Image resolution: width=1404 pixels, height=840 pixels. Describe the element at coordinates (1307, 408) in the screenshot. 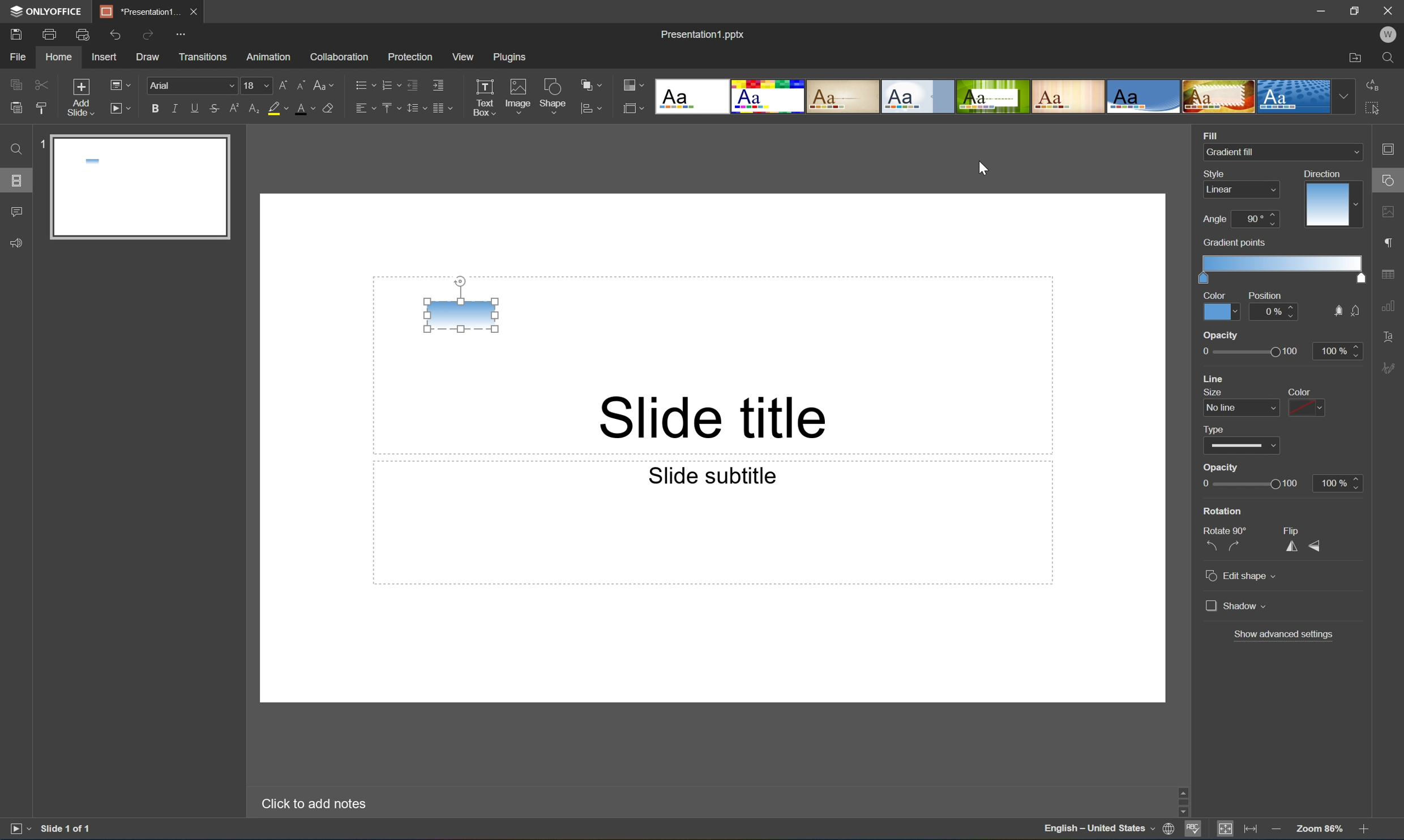

I see `color dropdown` at that location.